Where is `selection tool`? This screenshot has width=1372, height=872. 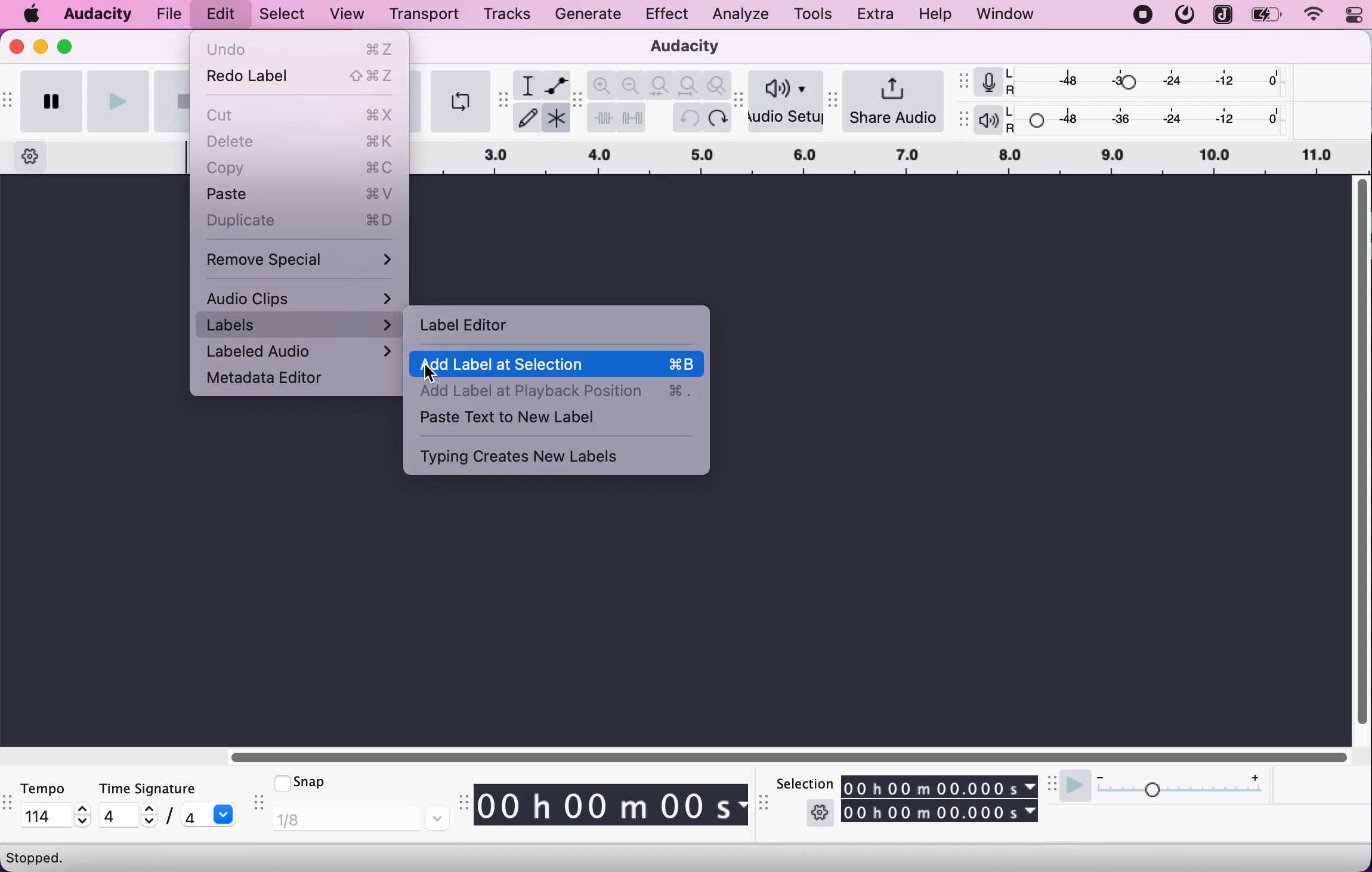
selection tool is located at coordinates (527, 85).